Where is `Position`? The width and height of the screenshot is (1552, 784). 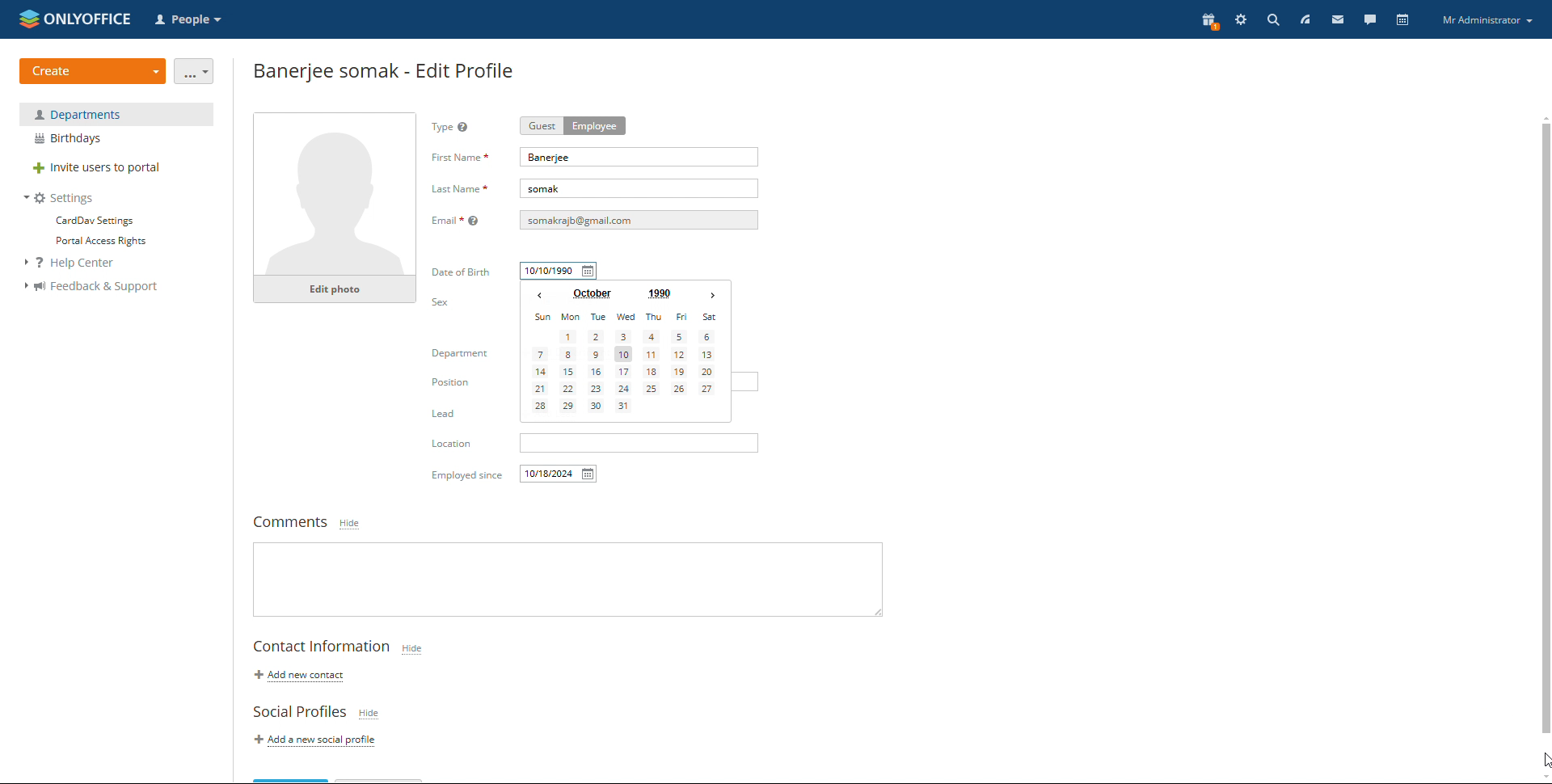
Position is located at coordinates (460, 382).